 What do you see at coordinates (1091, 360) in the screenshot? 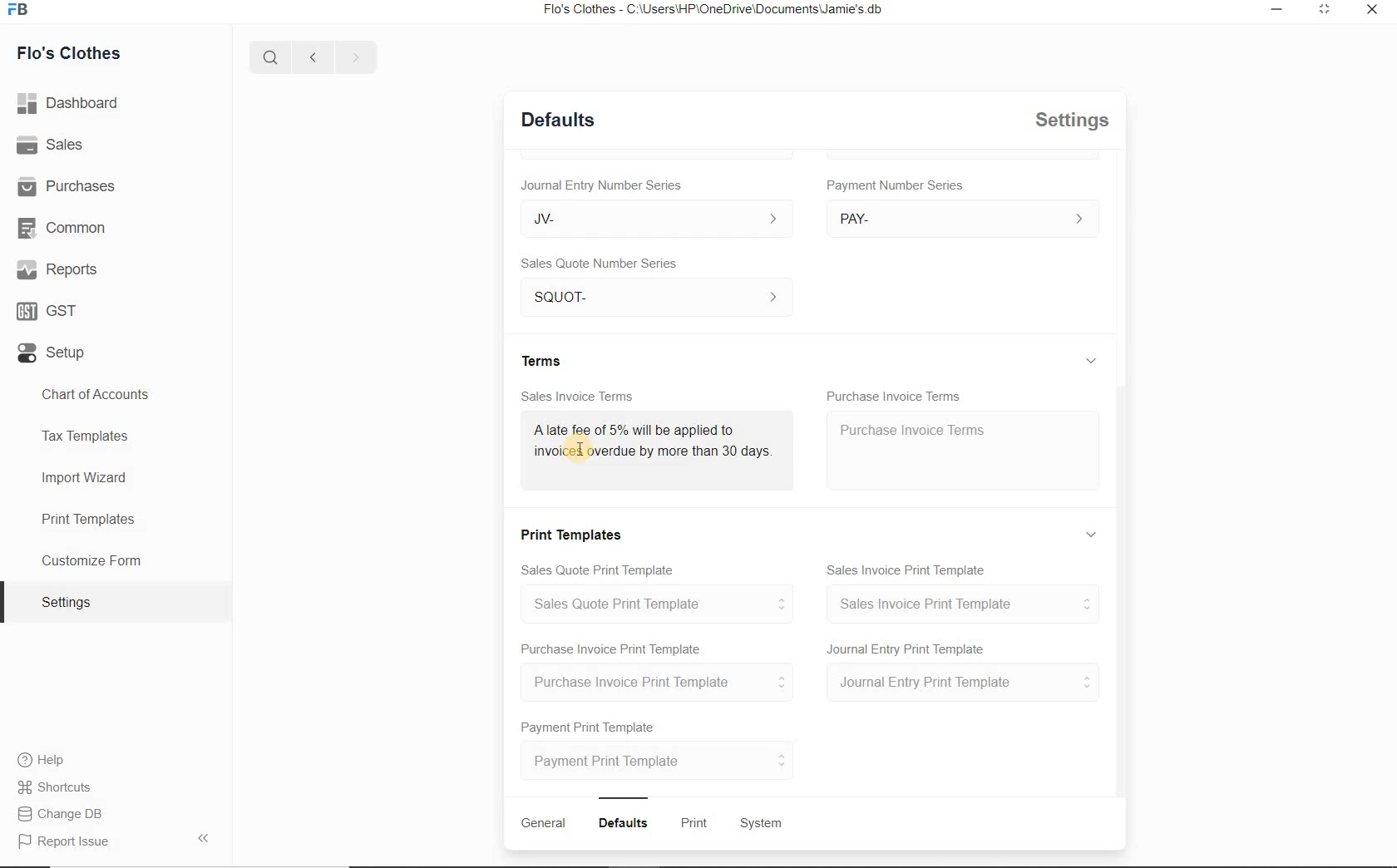
I see `Expand` at bounding box center [1091, 360].